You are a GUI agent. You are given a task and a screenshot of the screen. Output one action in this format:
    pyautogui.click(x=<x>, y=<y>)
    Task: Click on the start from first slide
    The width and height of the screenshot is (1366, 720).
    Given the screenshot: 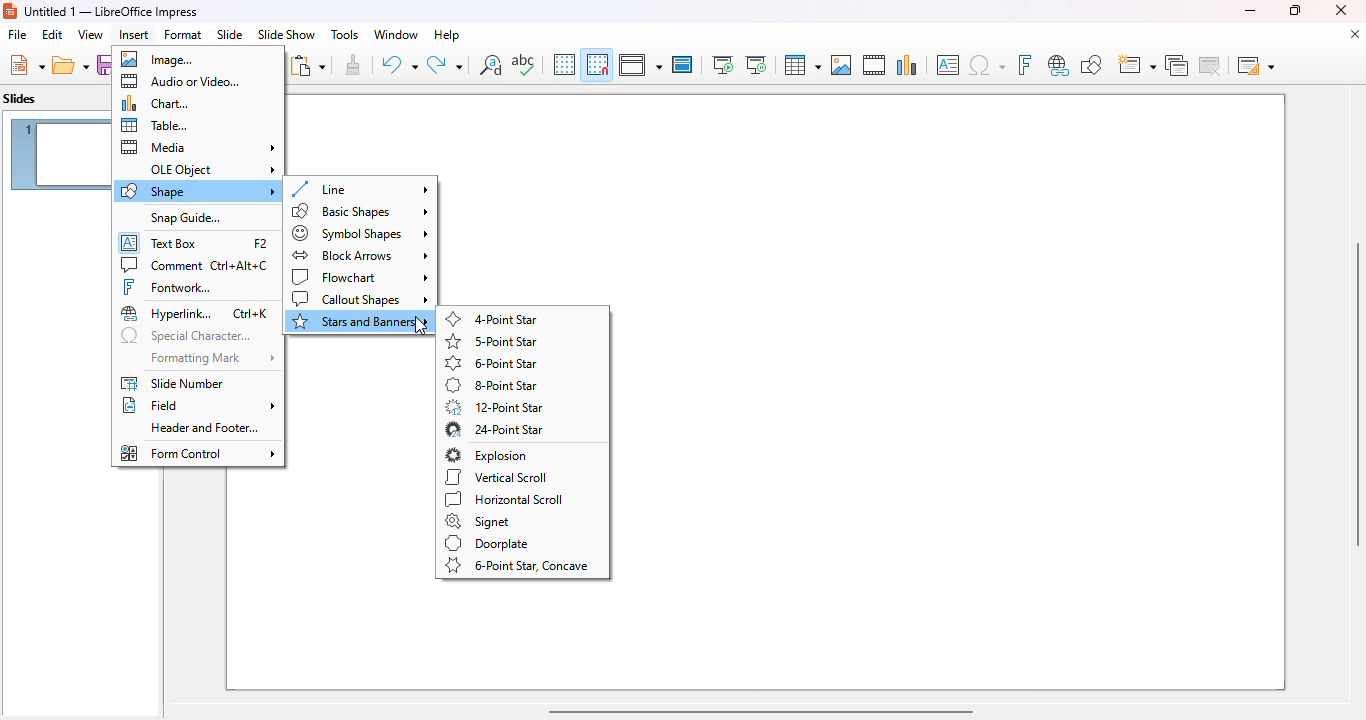 What is the action you would take?
    pyautogui.click(x=722, y=65)
    